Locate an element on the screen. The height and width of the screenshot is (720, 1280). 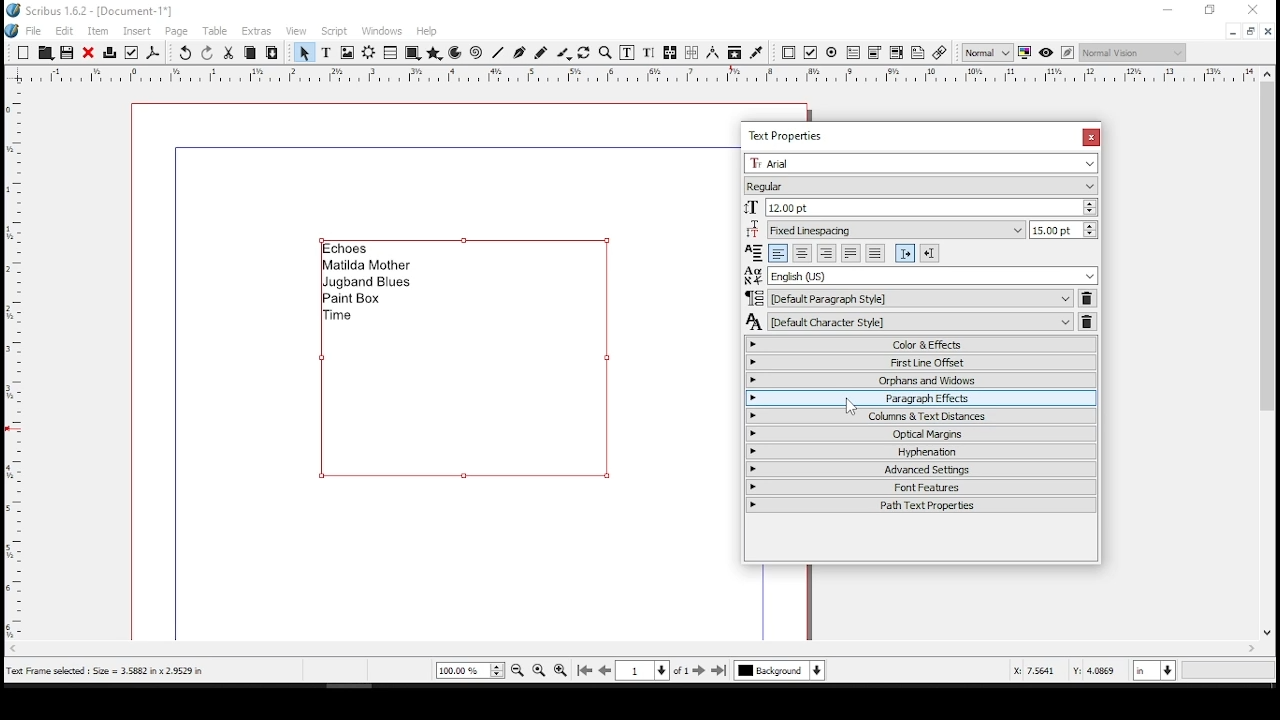
text properties is located at coordinates (790, 134).